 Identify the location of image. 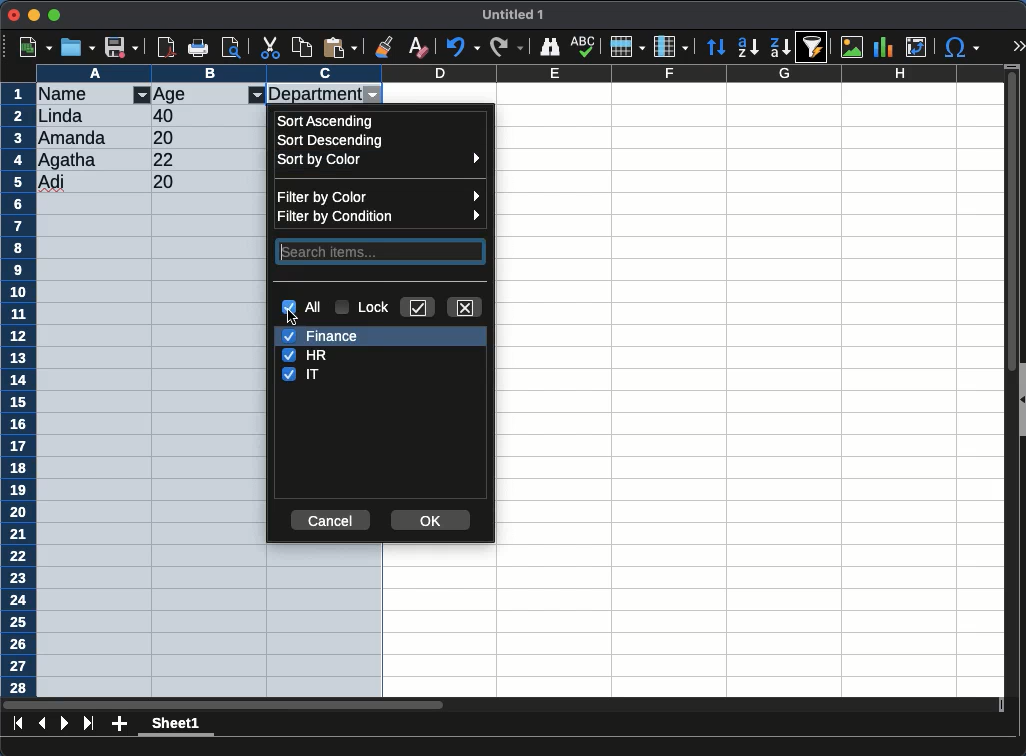
(851, 49).